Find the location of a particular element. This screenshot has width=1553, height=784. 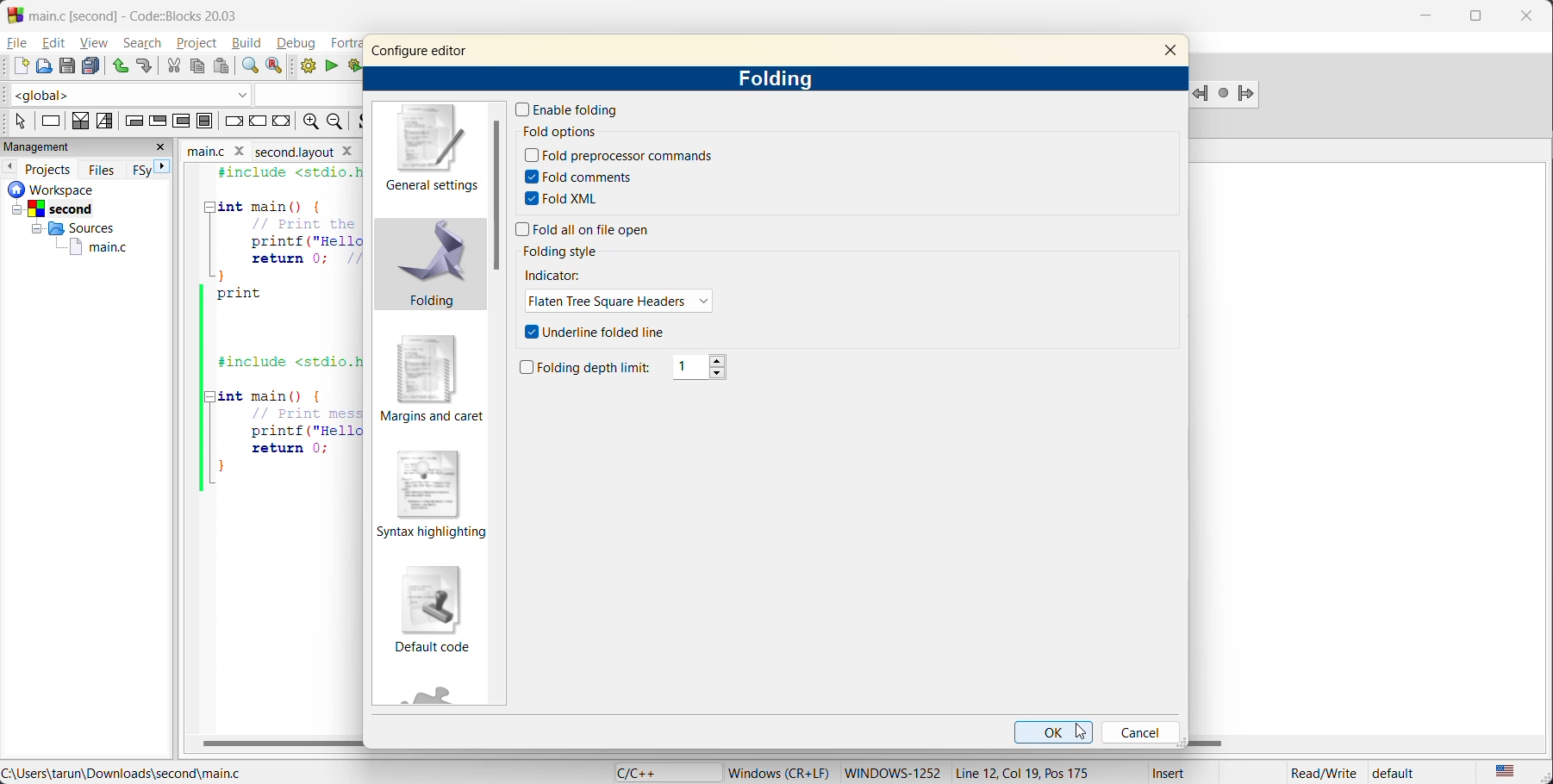

minimize is located at coordinates (1424, 17).